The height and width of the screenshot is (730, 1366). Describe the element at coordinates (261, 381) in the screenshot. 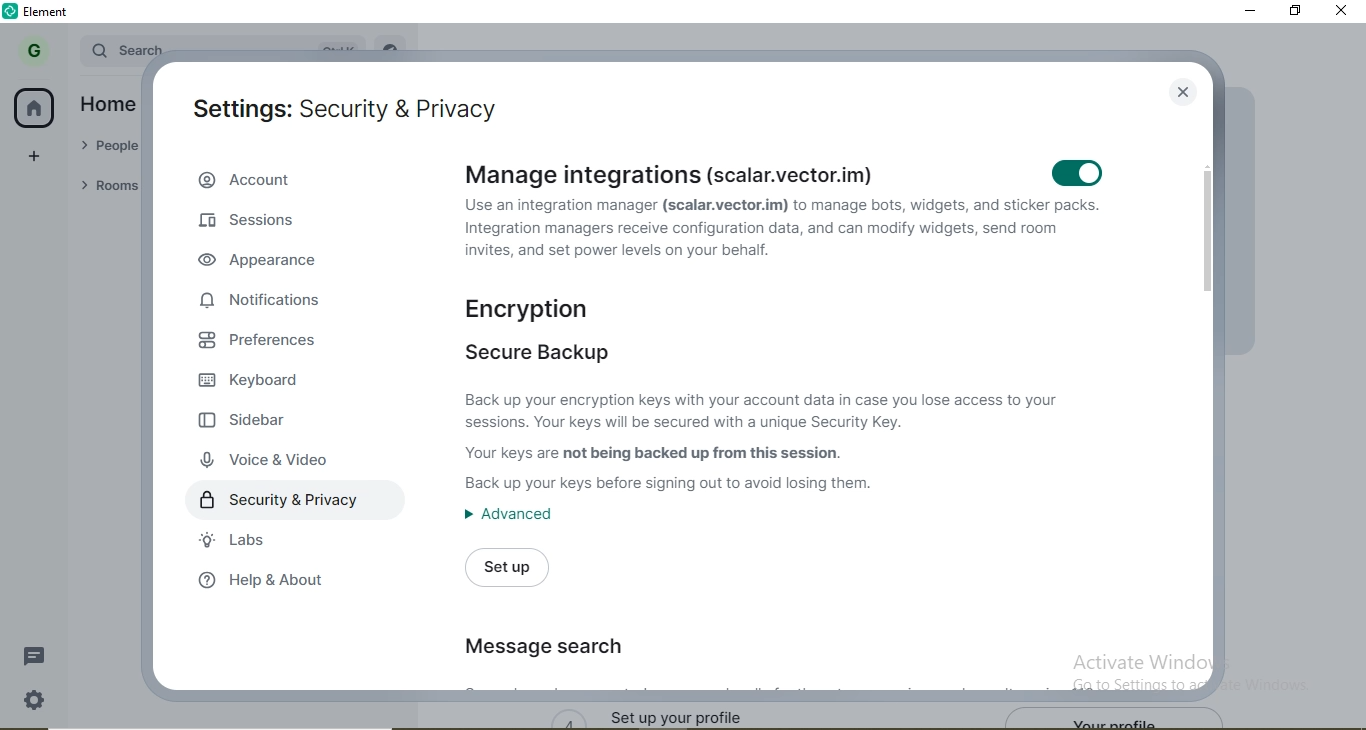

I see `keyboard` at that location.